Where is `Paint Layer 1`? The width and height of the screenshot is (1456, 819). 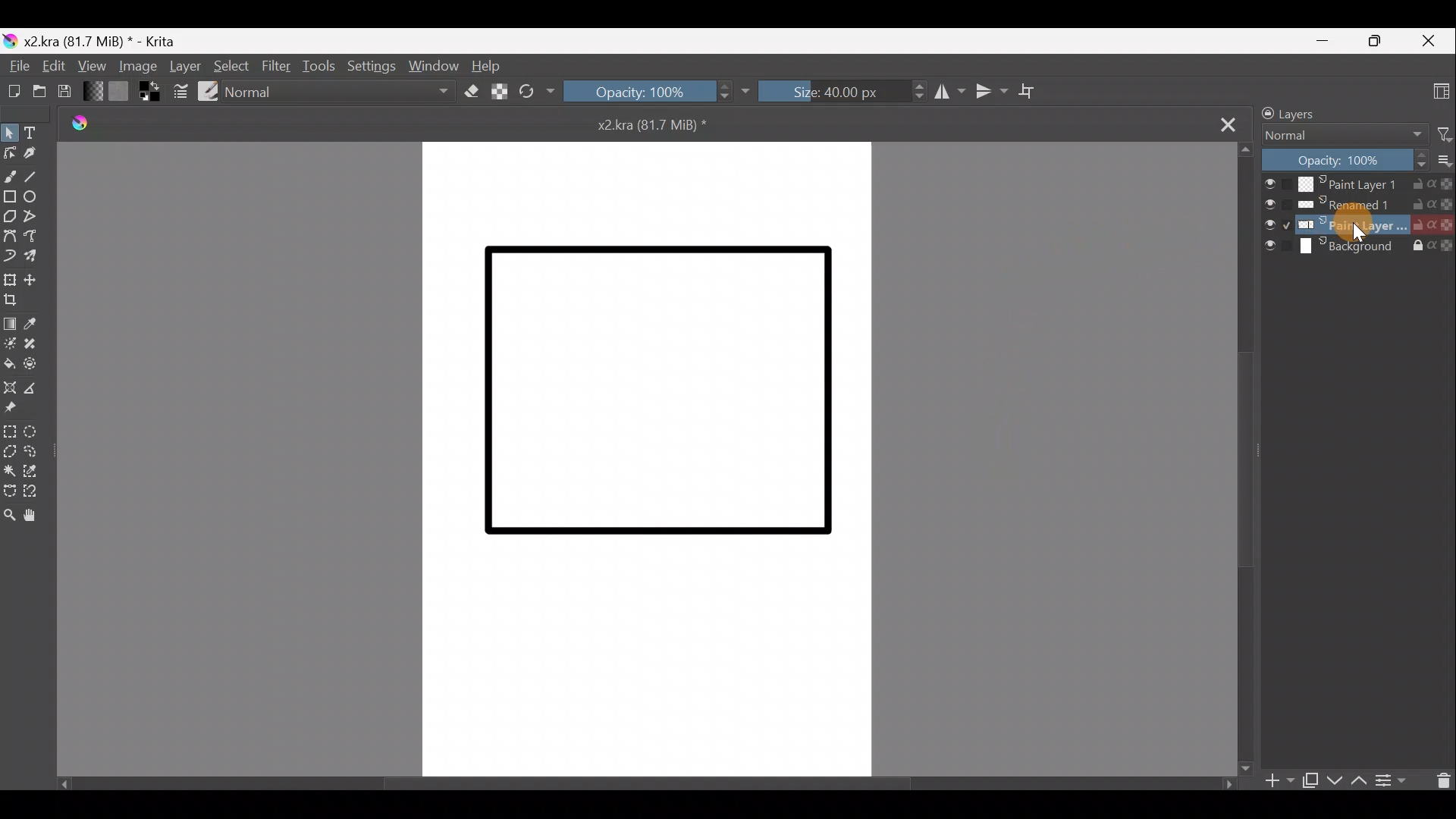
Paint Layer 1 is located at coordinates (1355, 184).